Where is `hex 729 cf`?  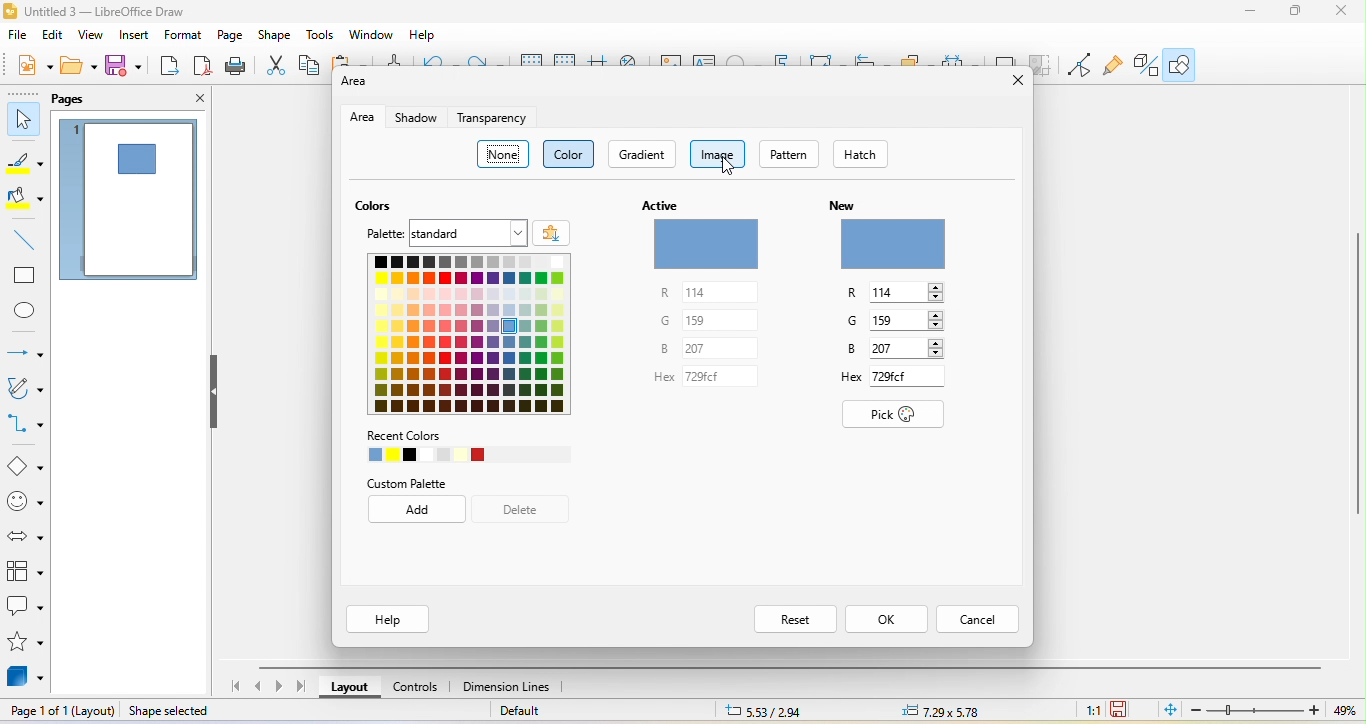 hex 729 cf is located at coordinates (896, 380).